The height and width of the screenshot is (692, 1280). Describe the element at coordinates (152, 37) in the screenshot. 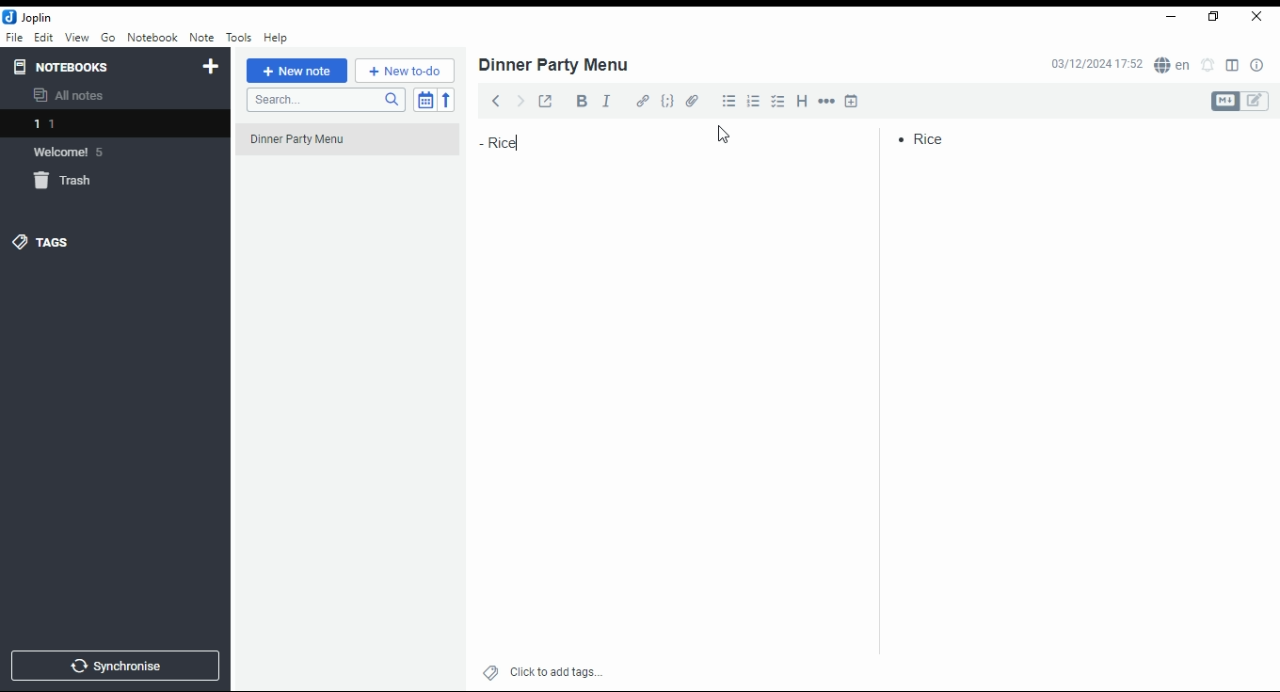

I see `notebook` at that location.